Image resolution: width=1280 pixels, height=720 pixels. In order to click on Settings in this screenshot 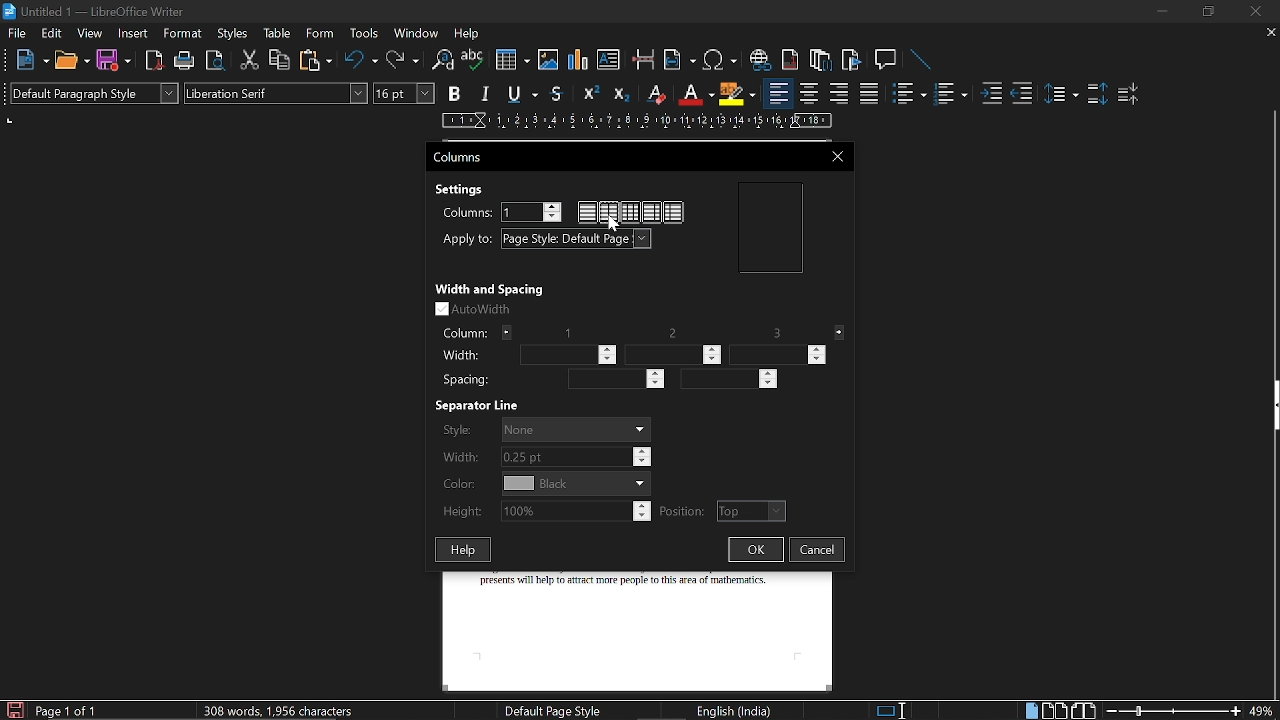, I will do `click(464, 190)`.